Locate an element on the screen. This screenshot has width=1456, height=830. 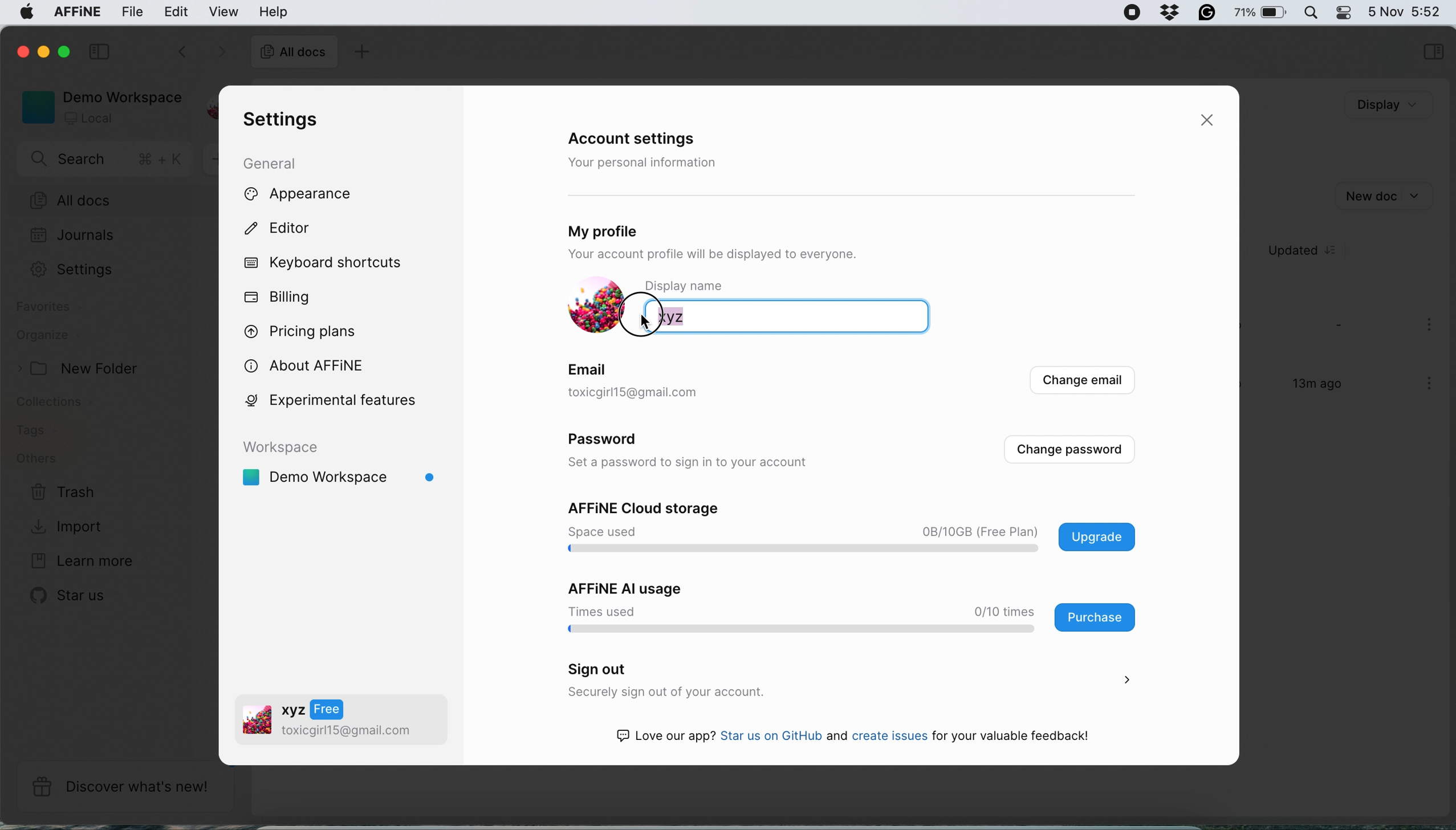
control center is located at coordinates (1343, 13).